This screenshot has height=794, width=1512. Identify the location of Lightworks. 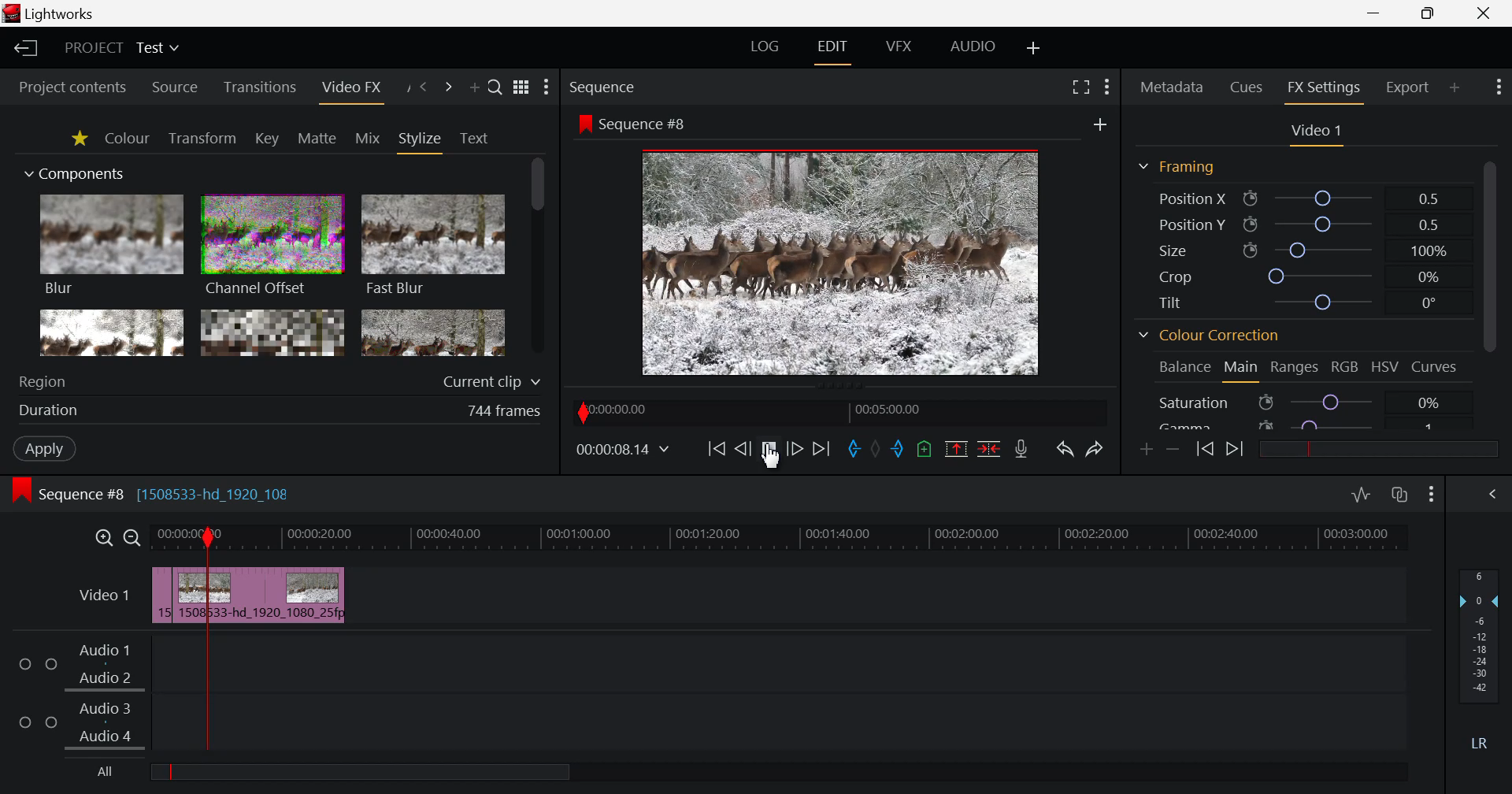
(52, 13).